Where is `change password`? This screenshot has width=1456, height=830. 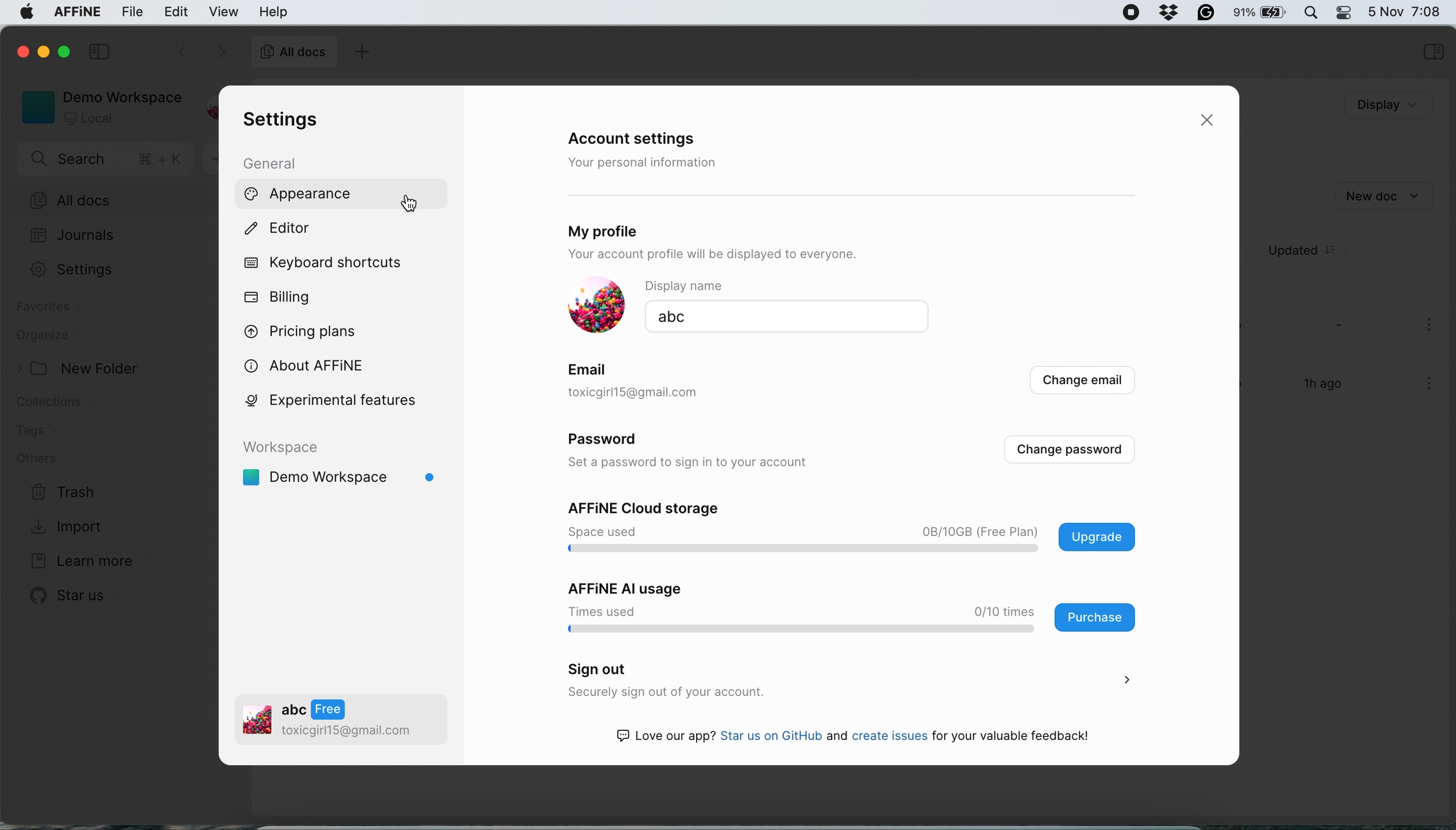
change password is located at coordinates (1076, 454).